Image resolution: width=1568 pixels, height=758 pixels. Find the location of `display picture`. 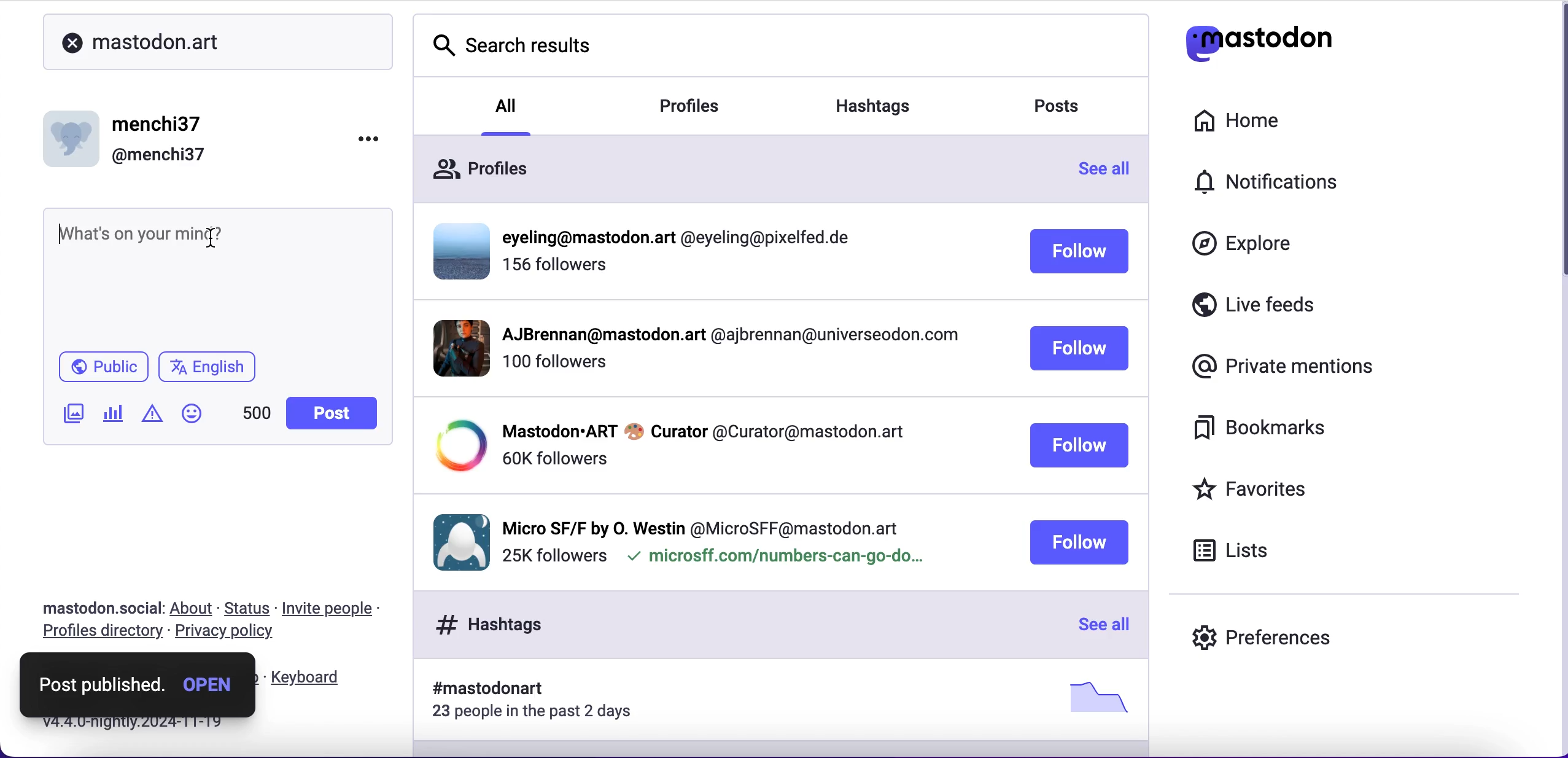

display picture is located at coordinates (456, 540).